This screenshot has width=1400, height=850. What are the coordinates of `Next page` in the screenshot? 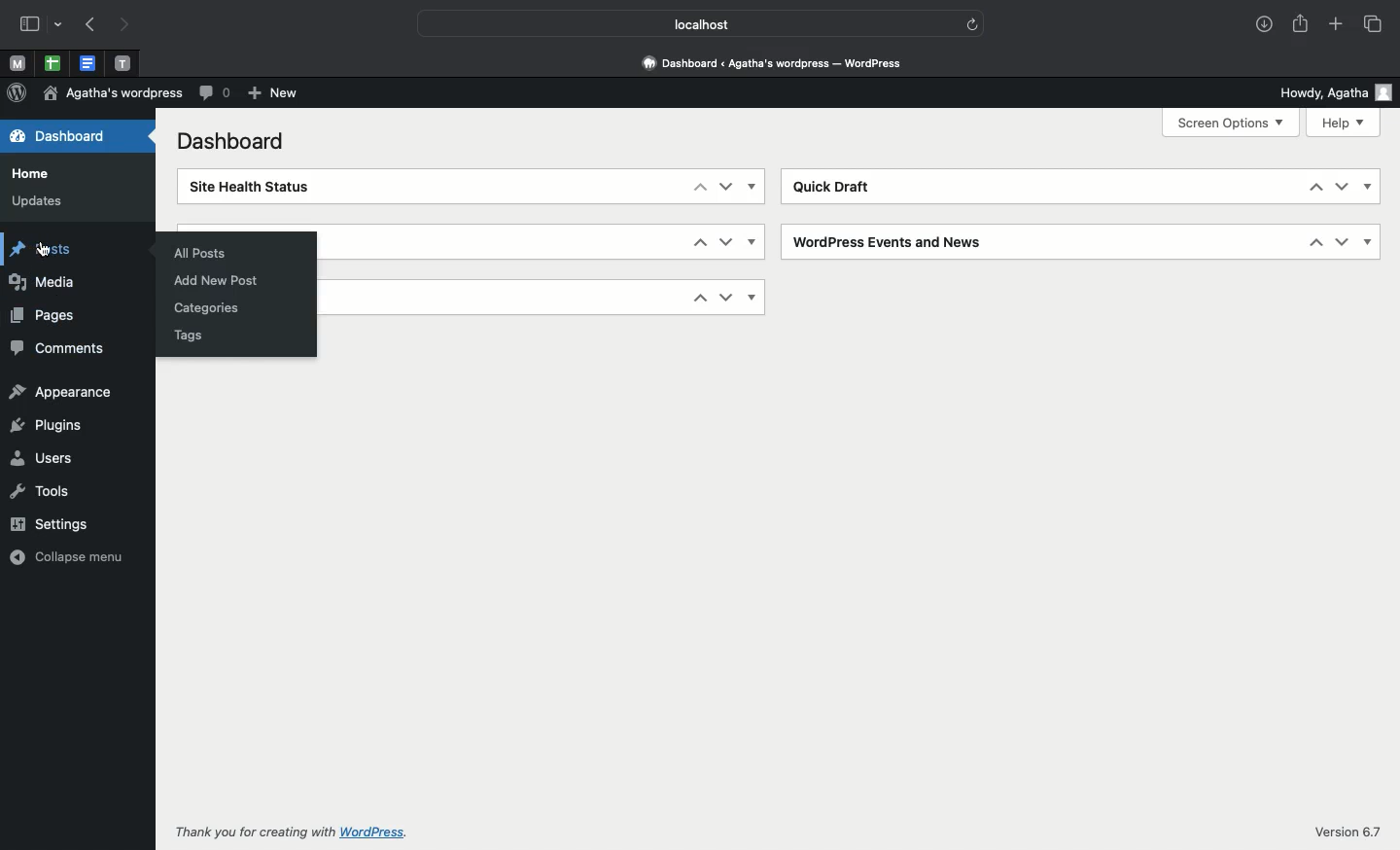 It's located at (129, 23).